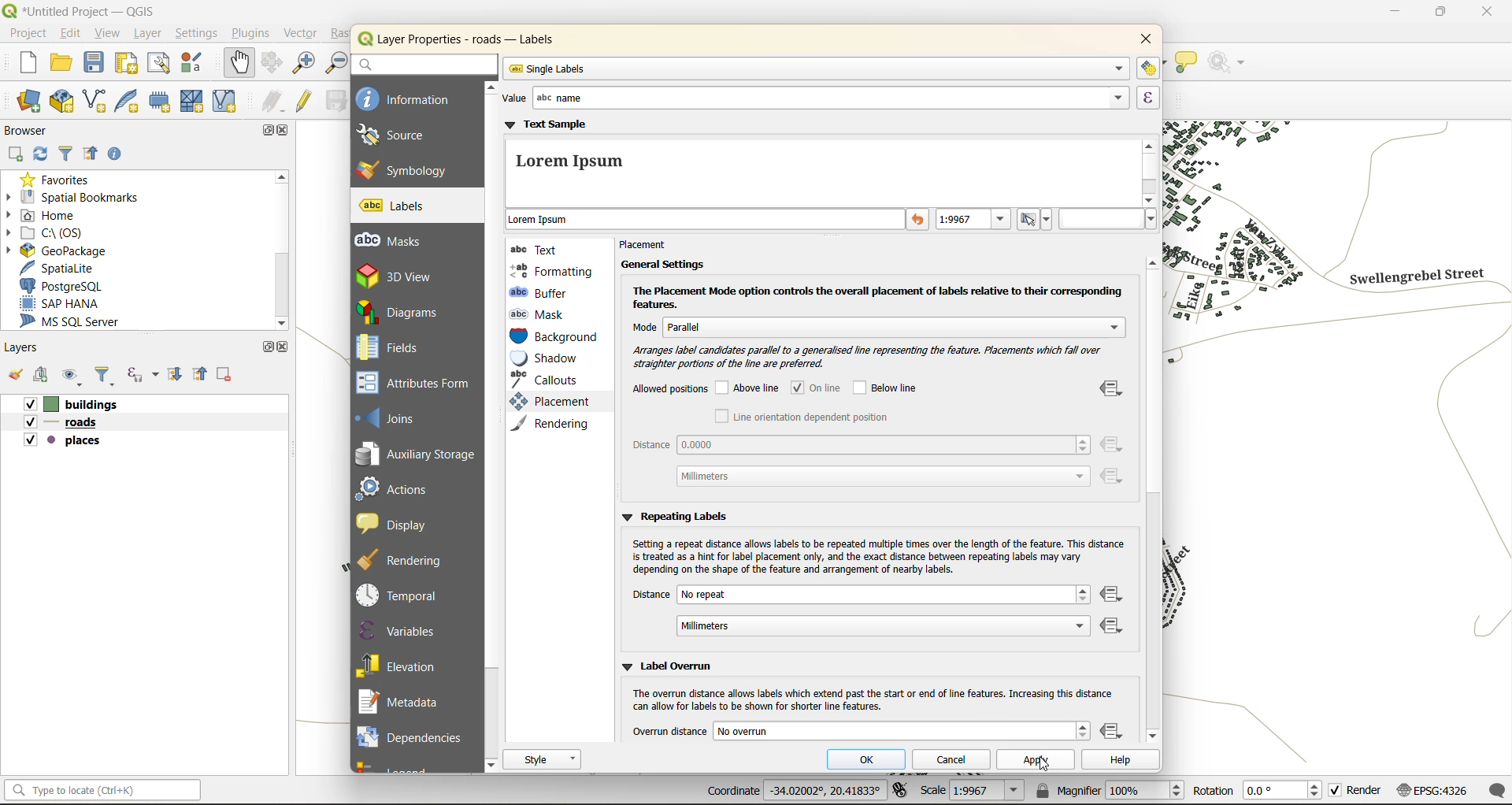 The height and width of the screenshot is (805, 1512). Describe the element at coordinates (423, 64) in the screenshot. I see `search` at that location.